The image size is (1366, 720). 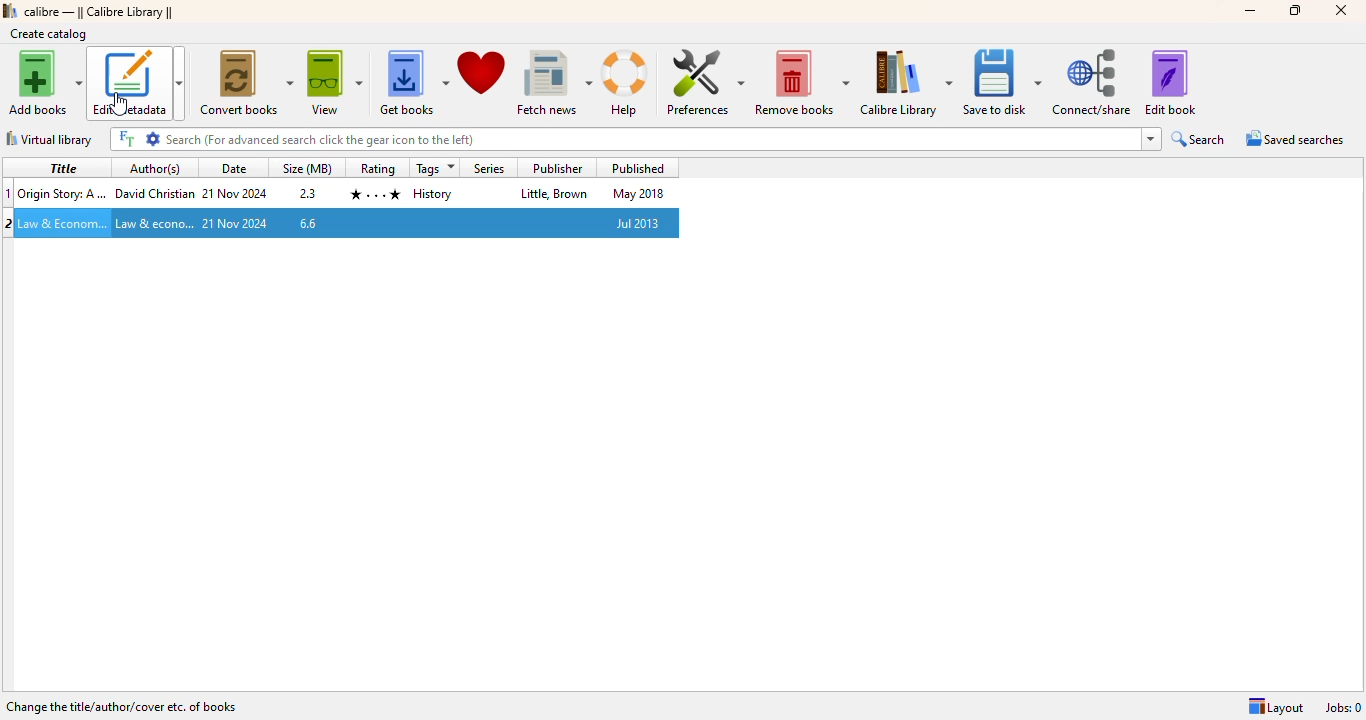 What do you see at coordinates (554, 195) in the screenshot?
I see `publisher` at bounding box center [554, 195].